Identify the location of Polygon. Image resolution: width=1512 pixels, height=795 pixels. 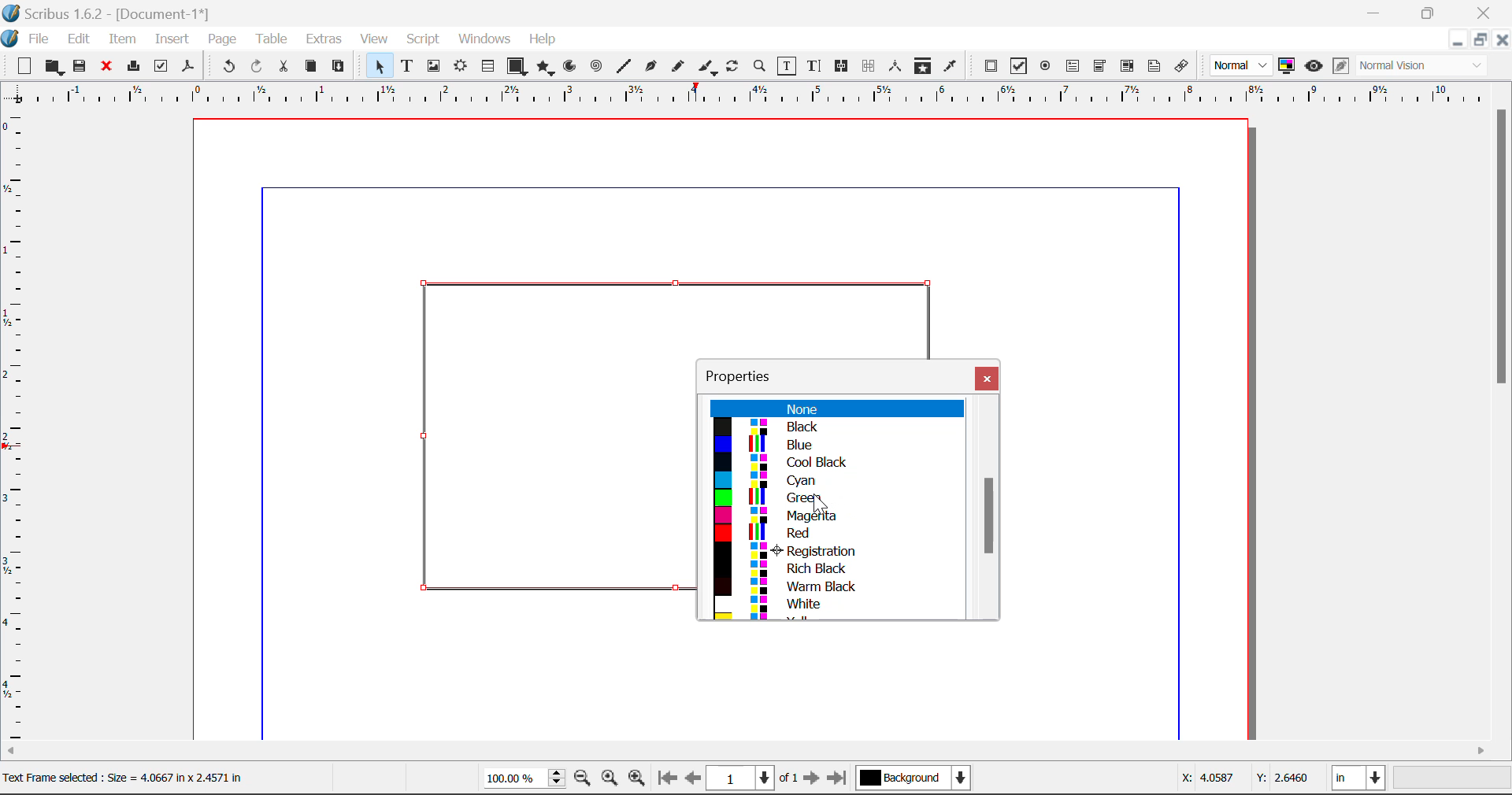
(547, 68).